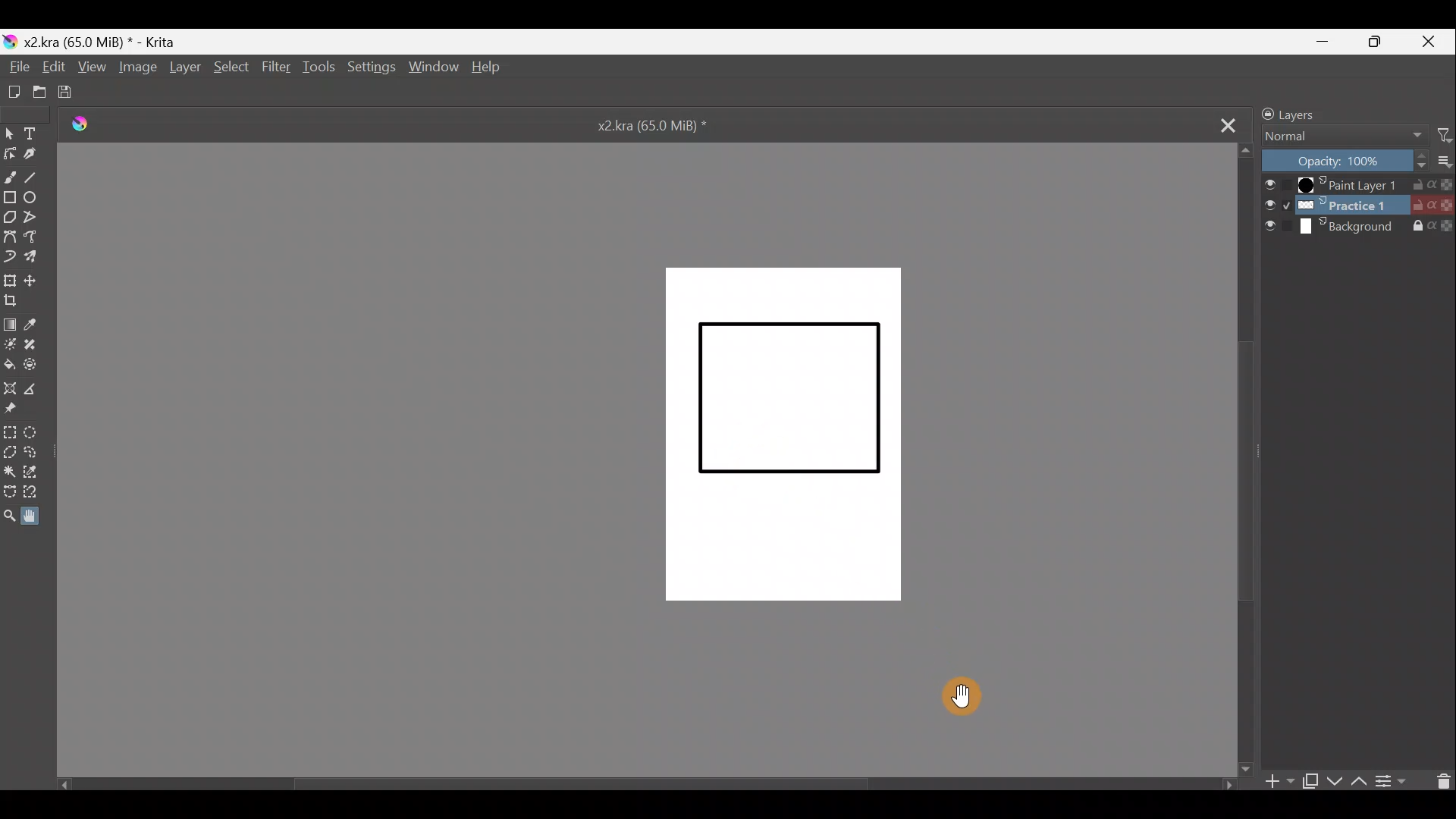 The width and height of the screenshot is (1456, 819). I want to click on Layers, so click(1323, 114).